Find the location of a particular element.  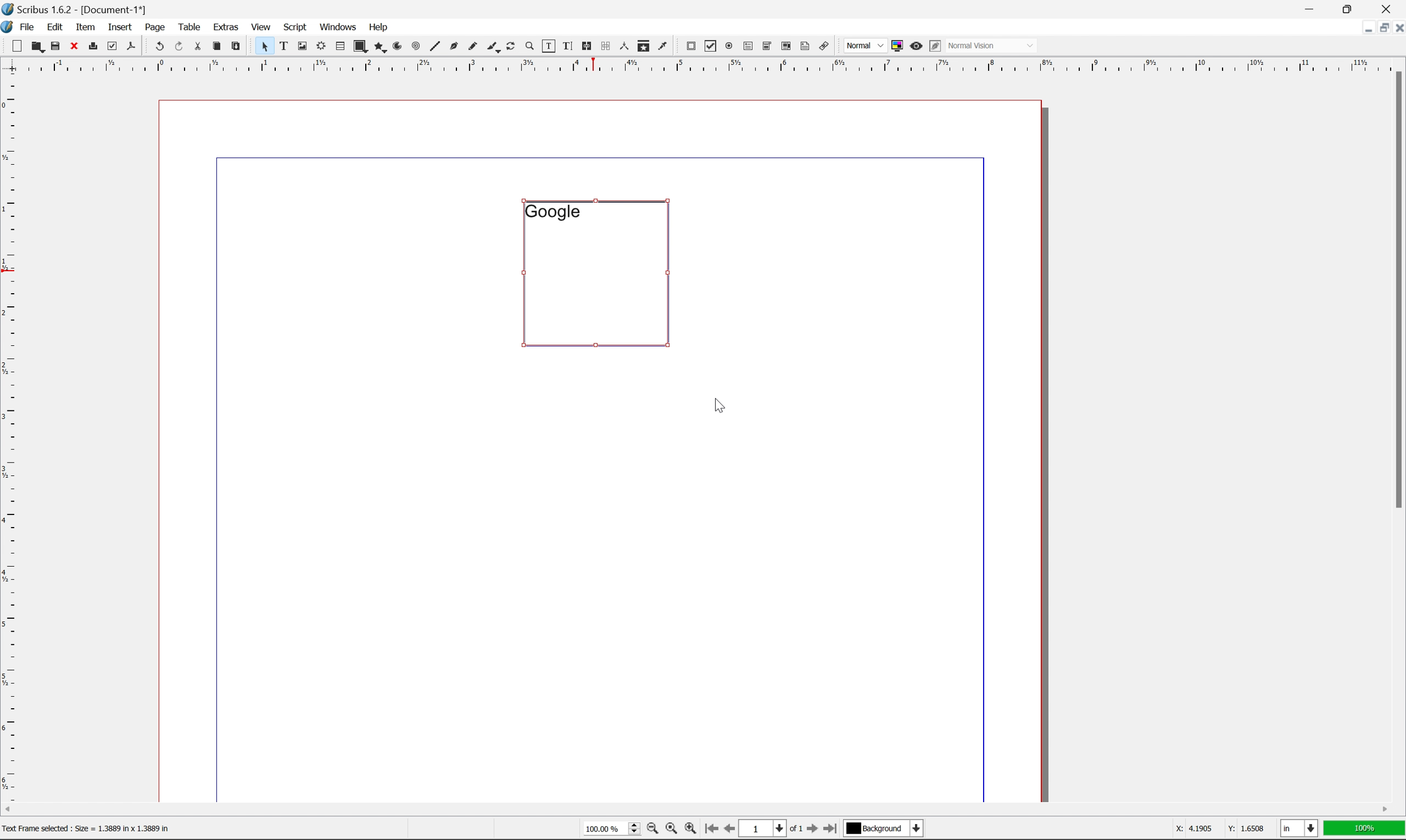

page is located at coordinates (155, 27).